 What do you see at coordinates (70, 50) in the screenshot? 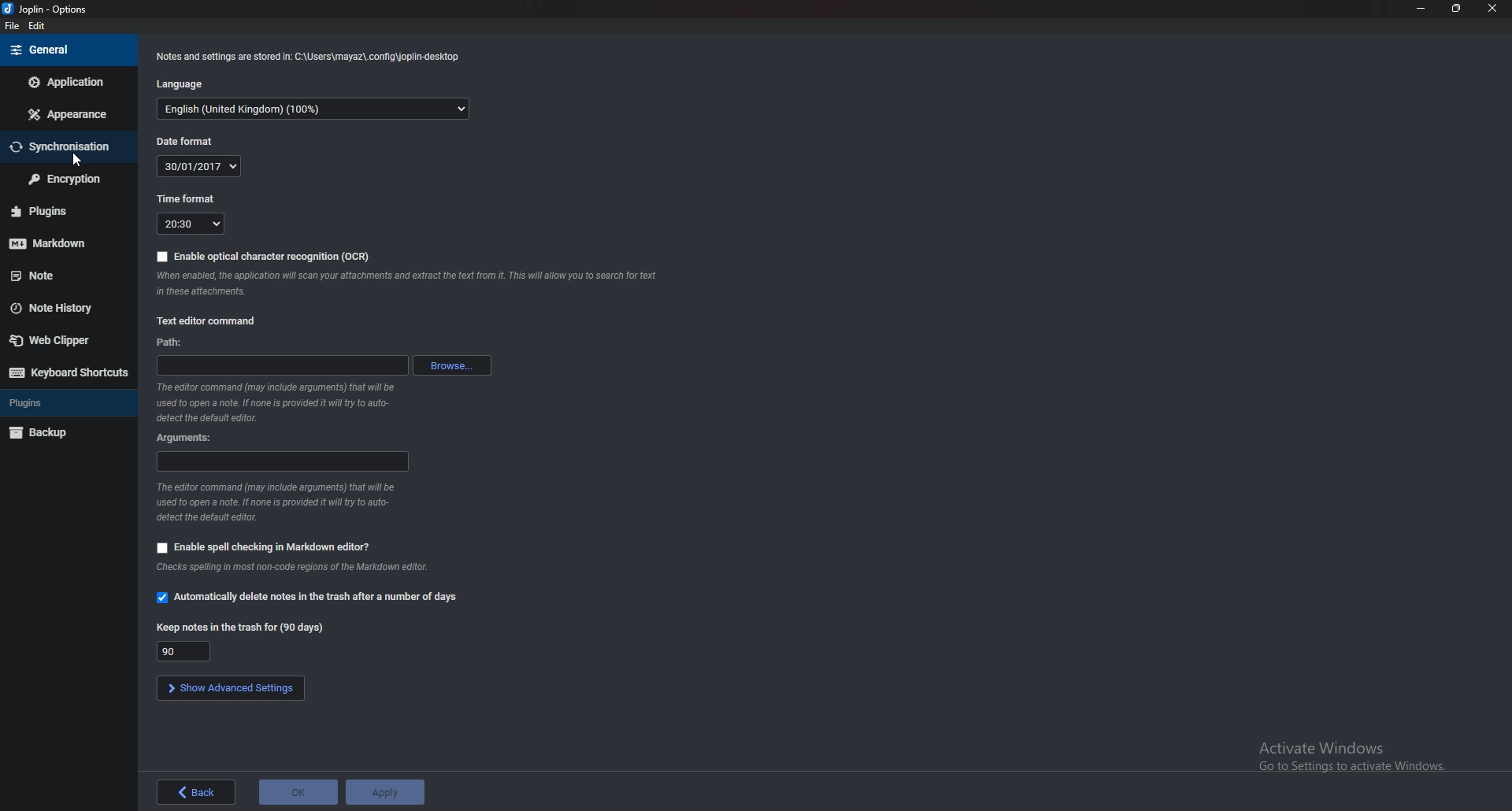
I see `general` at bounding box center [70, 50].